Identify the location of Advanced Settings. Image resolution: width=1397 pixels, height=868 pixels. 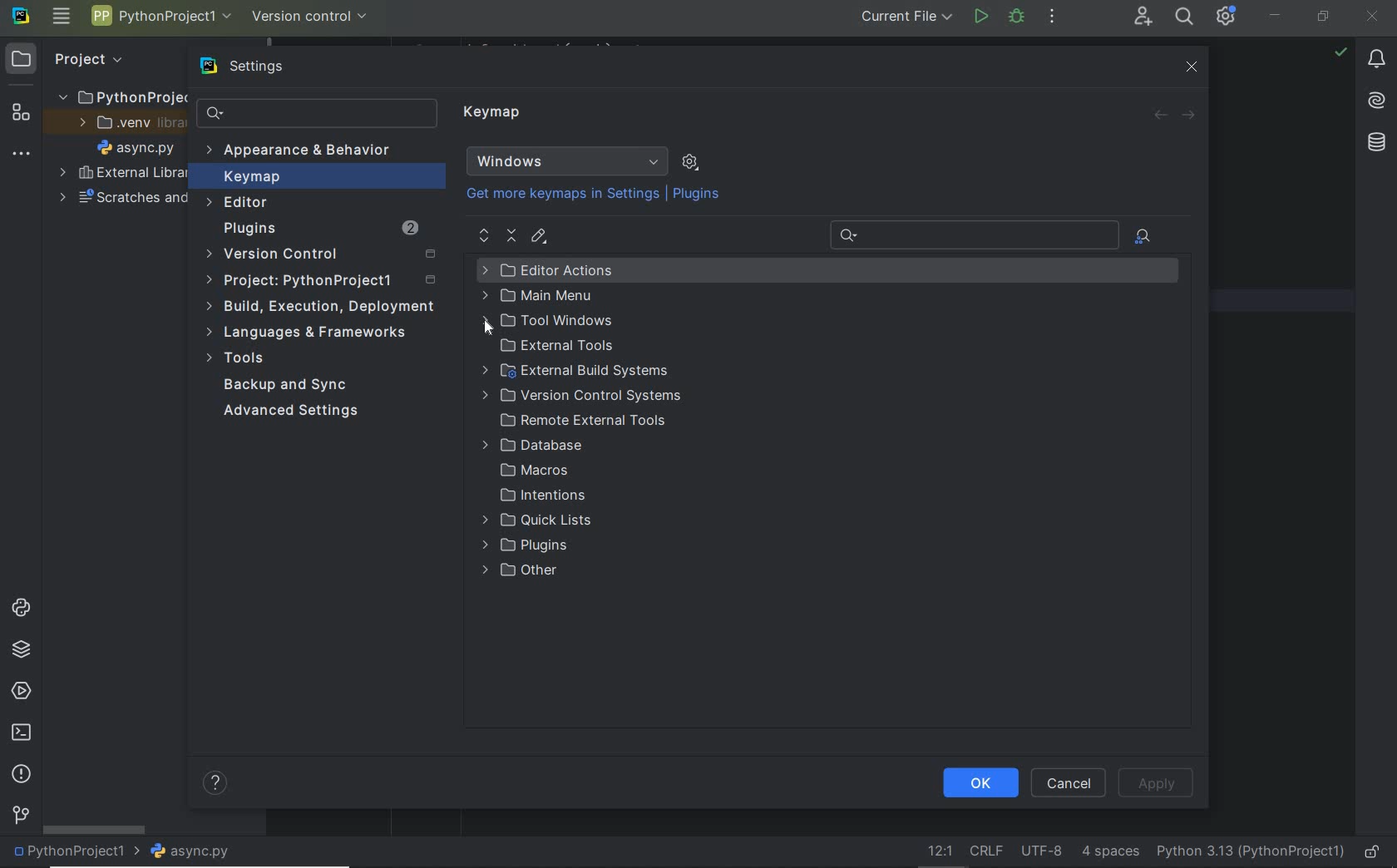
(294, 412).